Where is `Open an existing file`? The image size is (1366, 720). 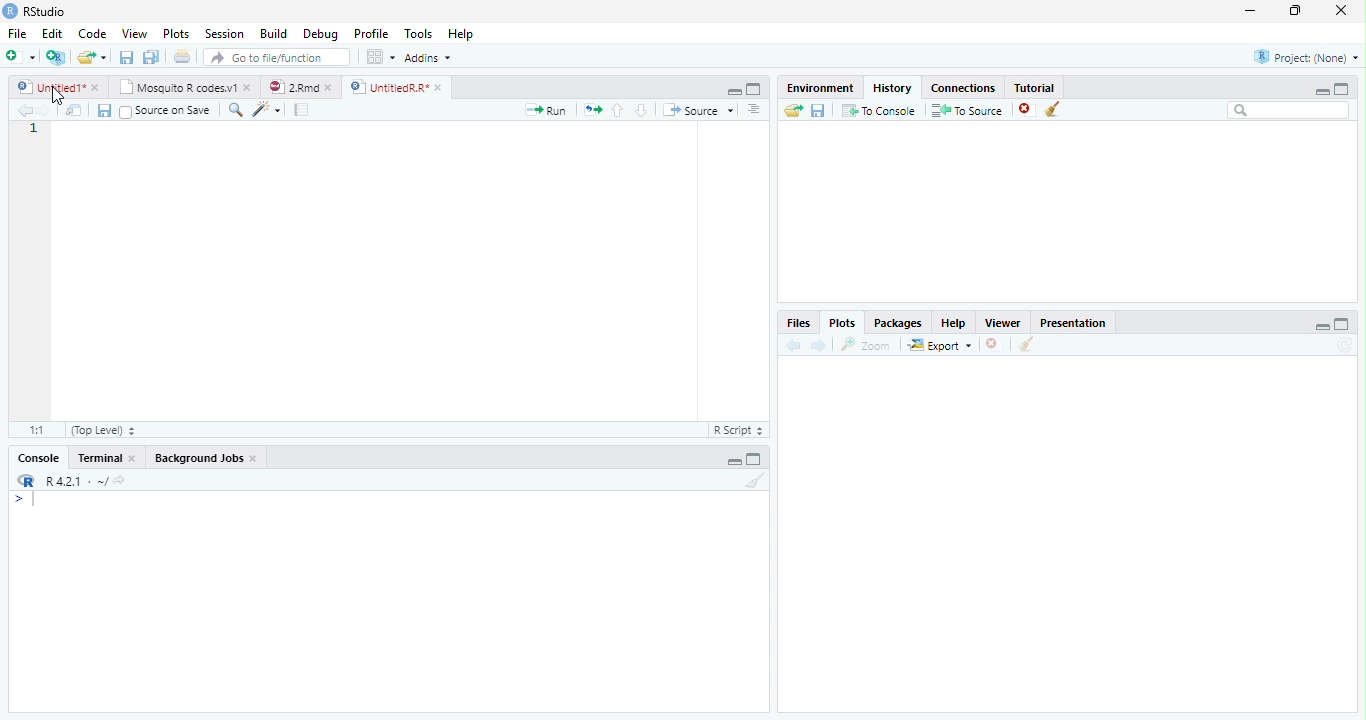 Open an existing file is located at coordinates (84, 57).